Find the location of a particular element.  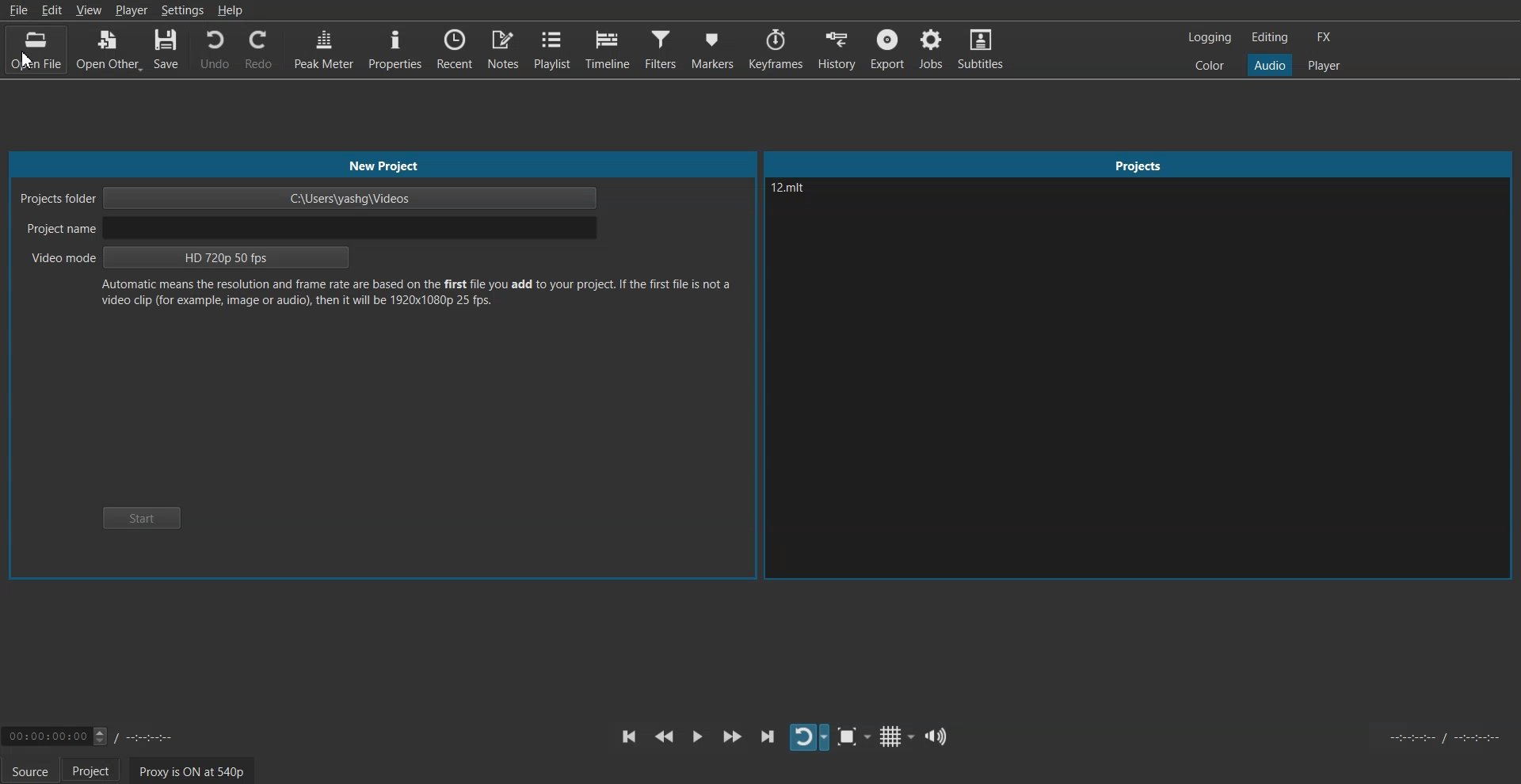

File is located at coordinates (20, 11).